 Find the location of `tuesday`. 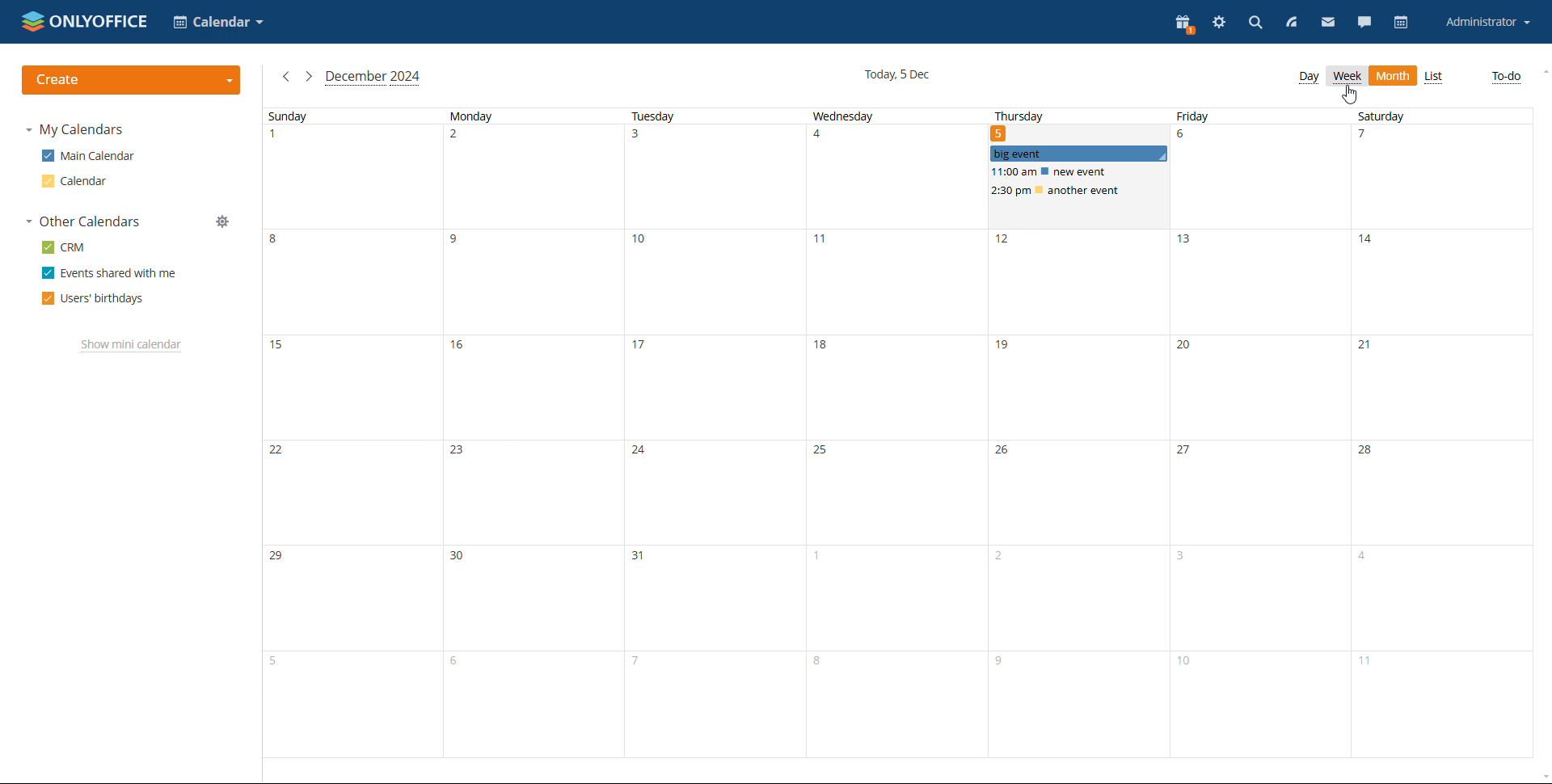

tuesday is located at coordinates (711, 432).